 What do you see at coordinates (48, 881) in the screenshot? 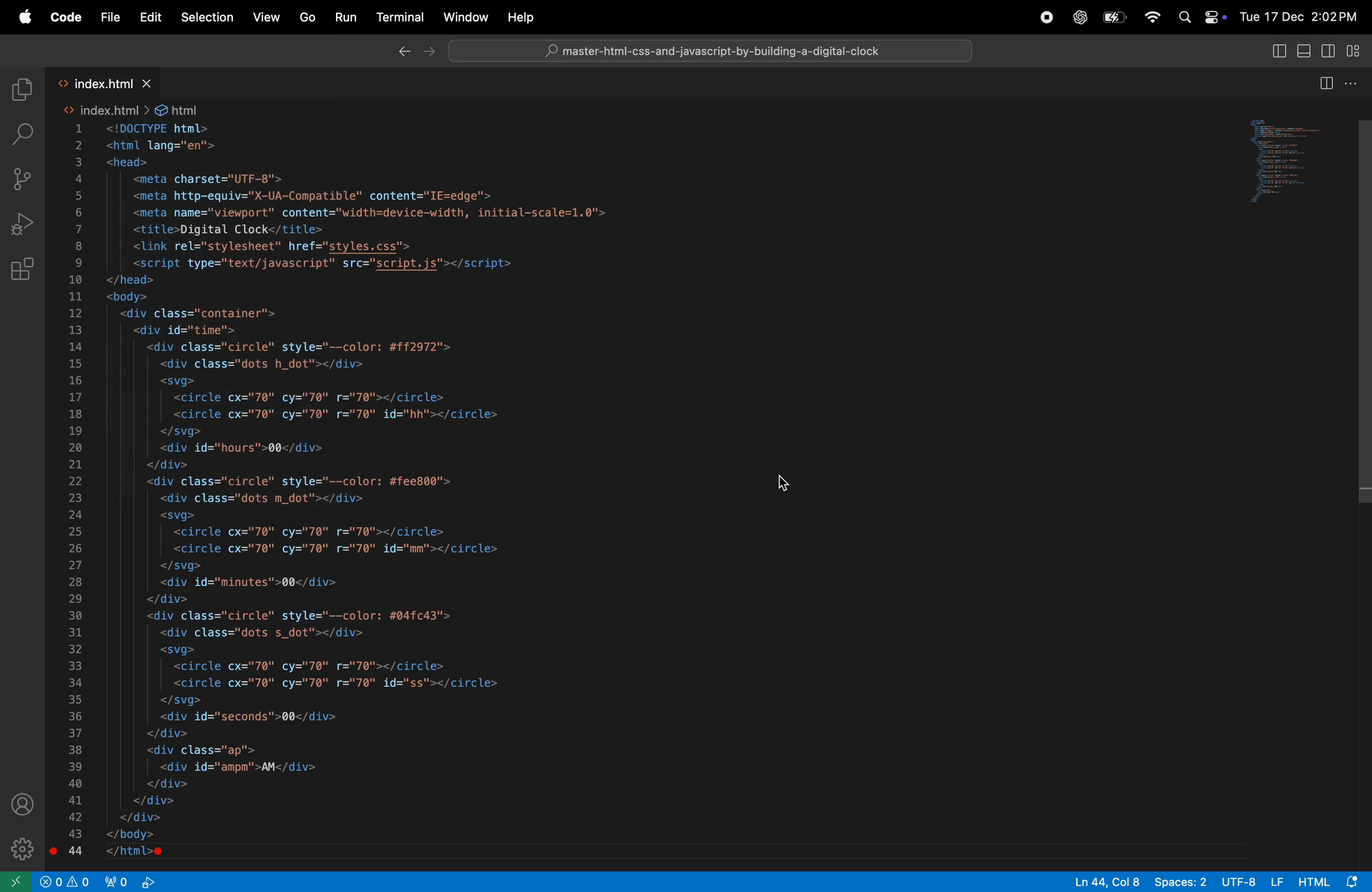
I see `no problem` at bounding box center [48, 881].